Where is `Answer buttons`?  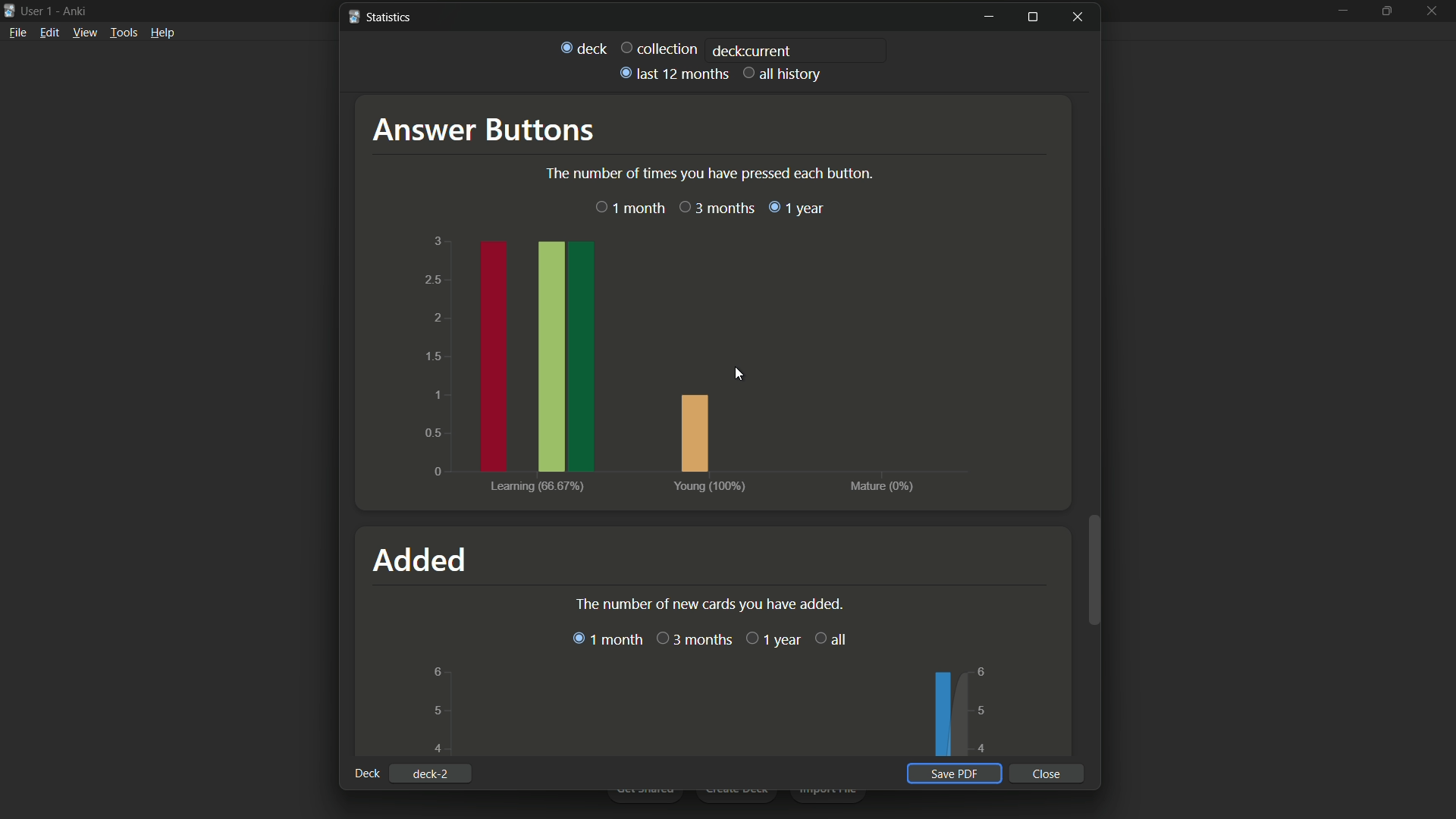 Answer buttons is located at coordinates (481, 129).